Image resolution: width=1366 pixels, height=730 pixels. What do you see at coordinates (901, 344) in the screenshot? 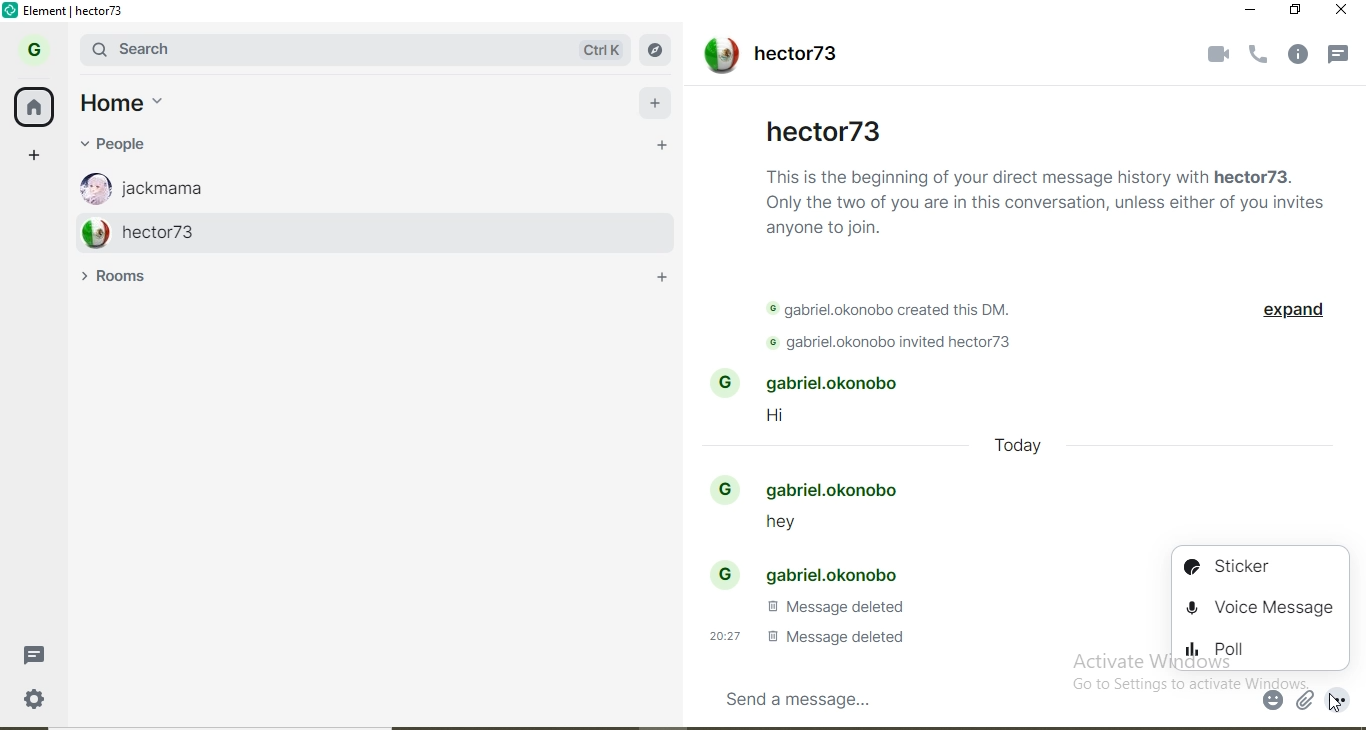
I see `text 3` at bounding box center [901, 344].